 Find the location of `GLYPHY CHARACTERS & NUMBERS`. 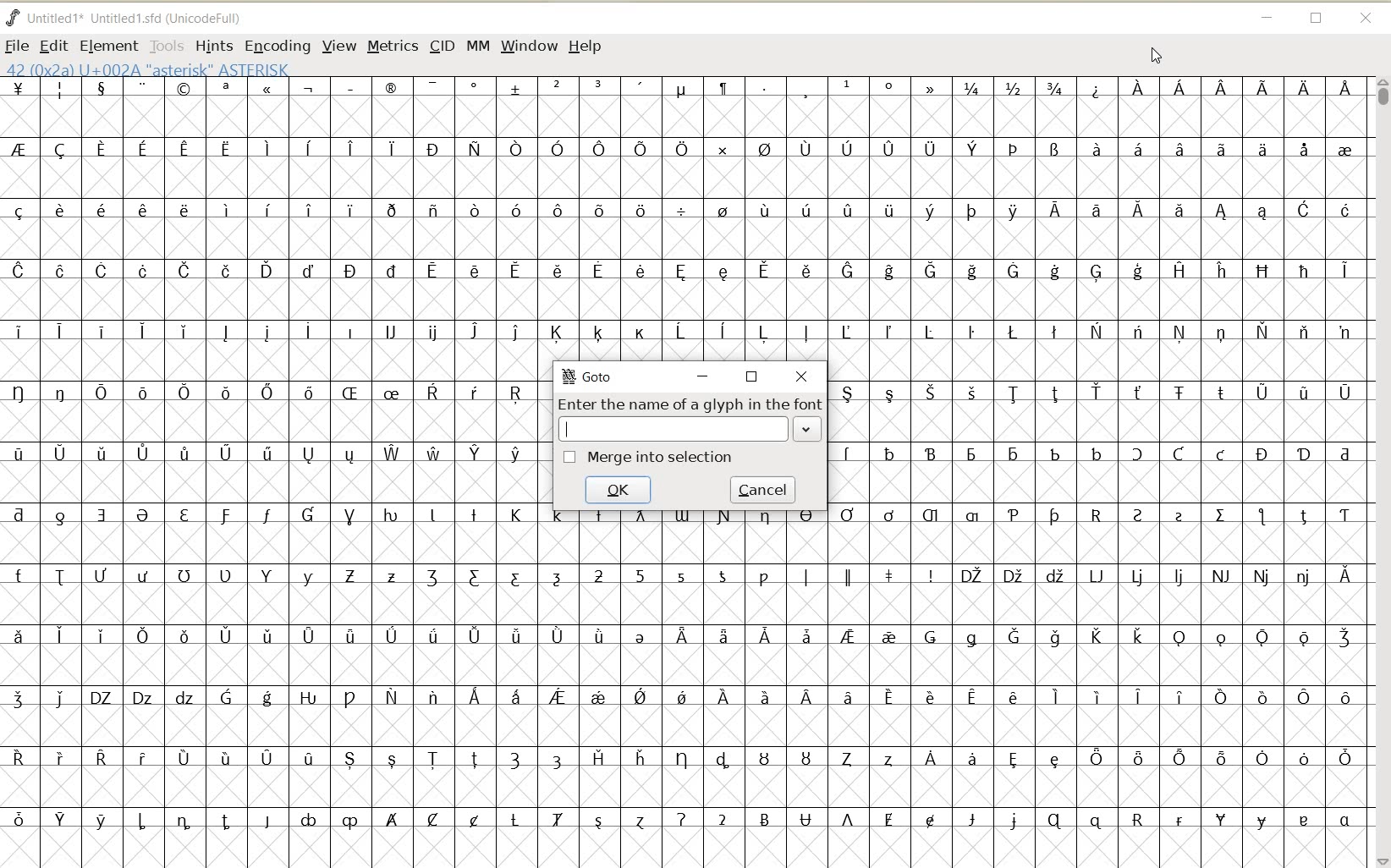

GLYPHY CHARACTERS & NUMBERS is located at coordinates (276, 613).